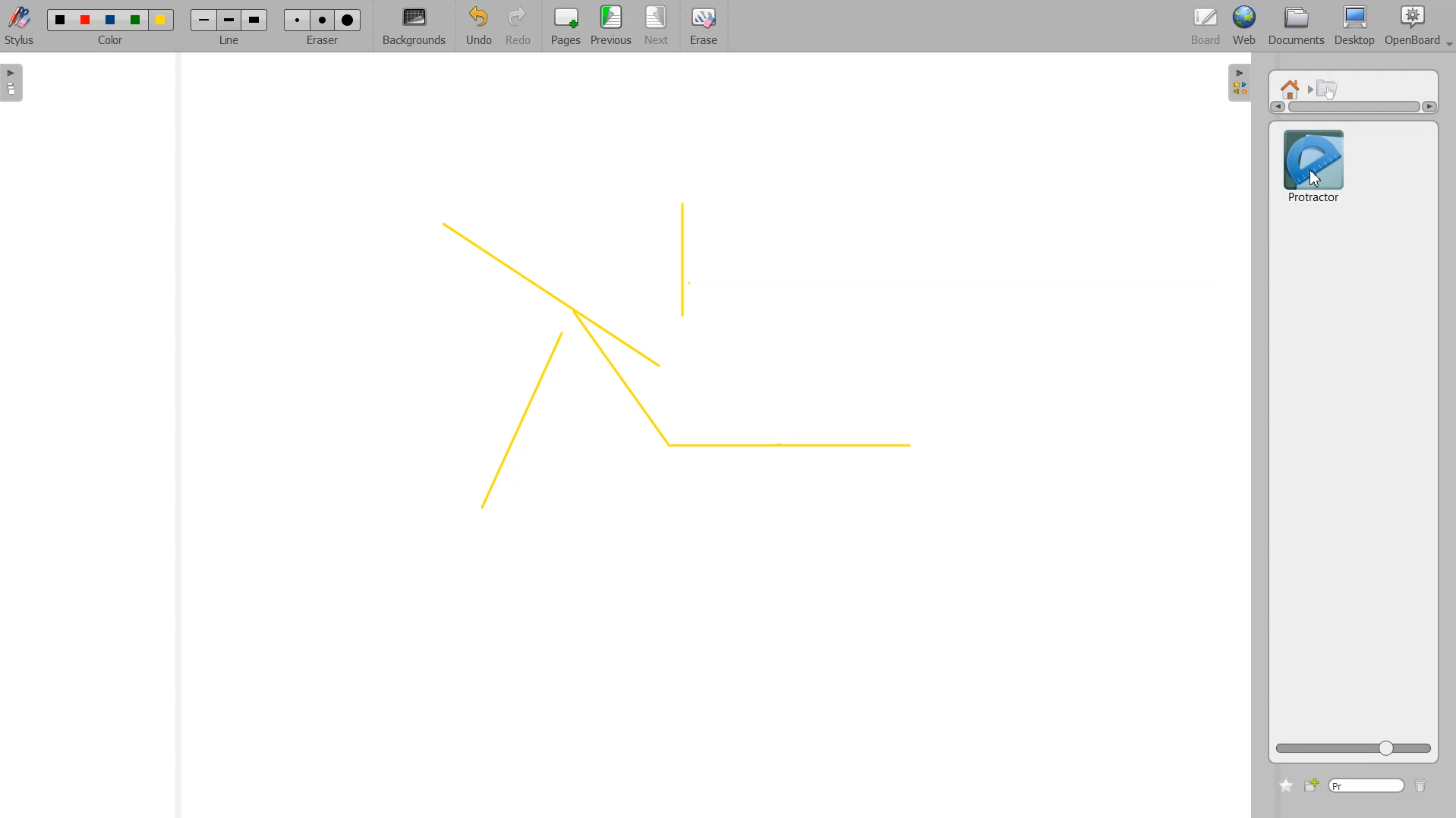  I want to click on Documents, so click(1294, 27).